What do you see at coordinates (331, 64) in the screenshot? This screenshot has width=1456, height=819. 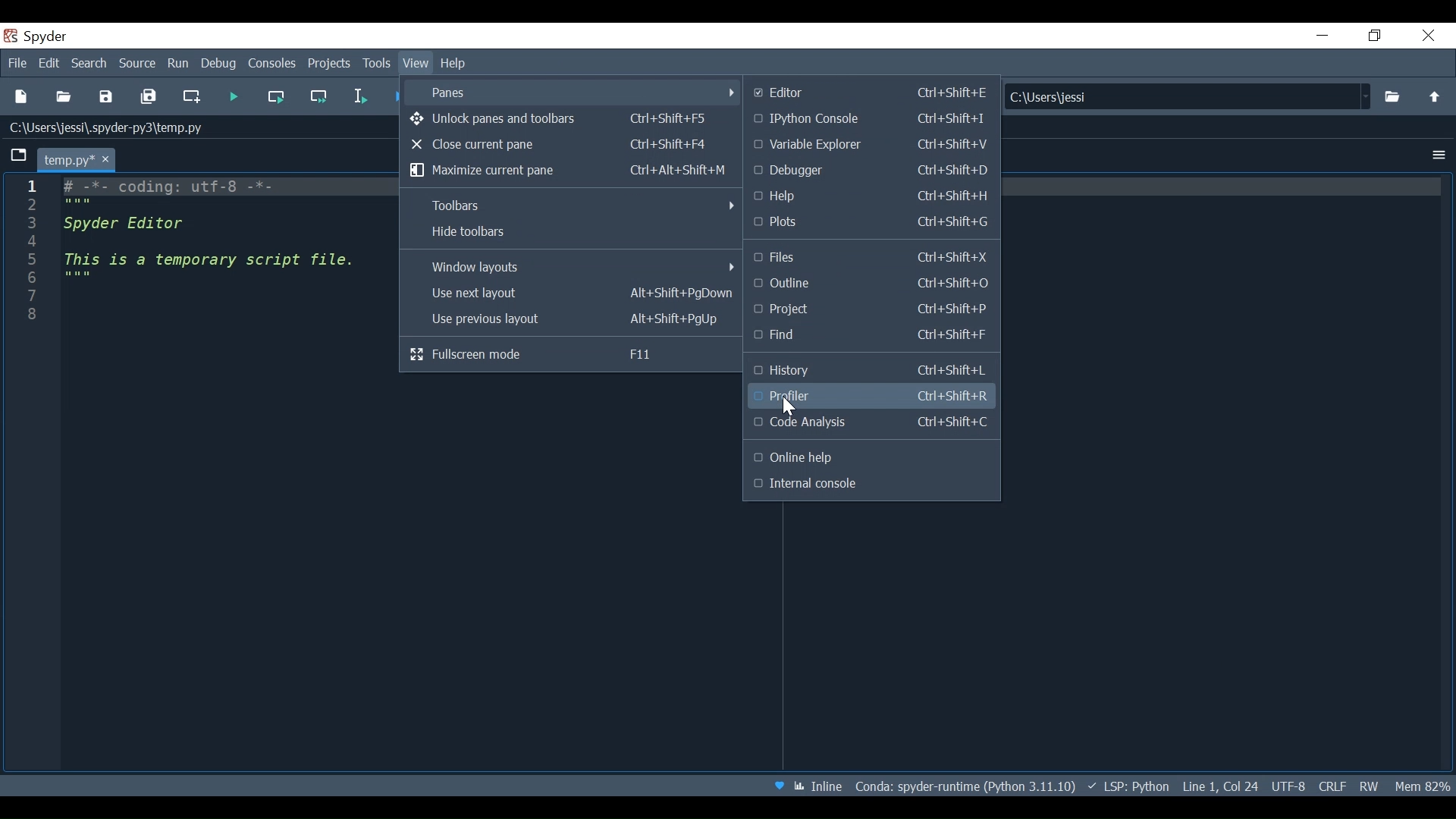 I see `Projects` at bounding box center [331, 64].